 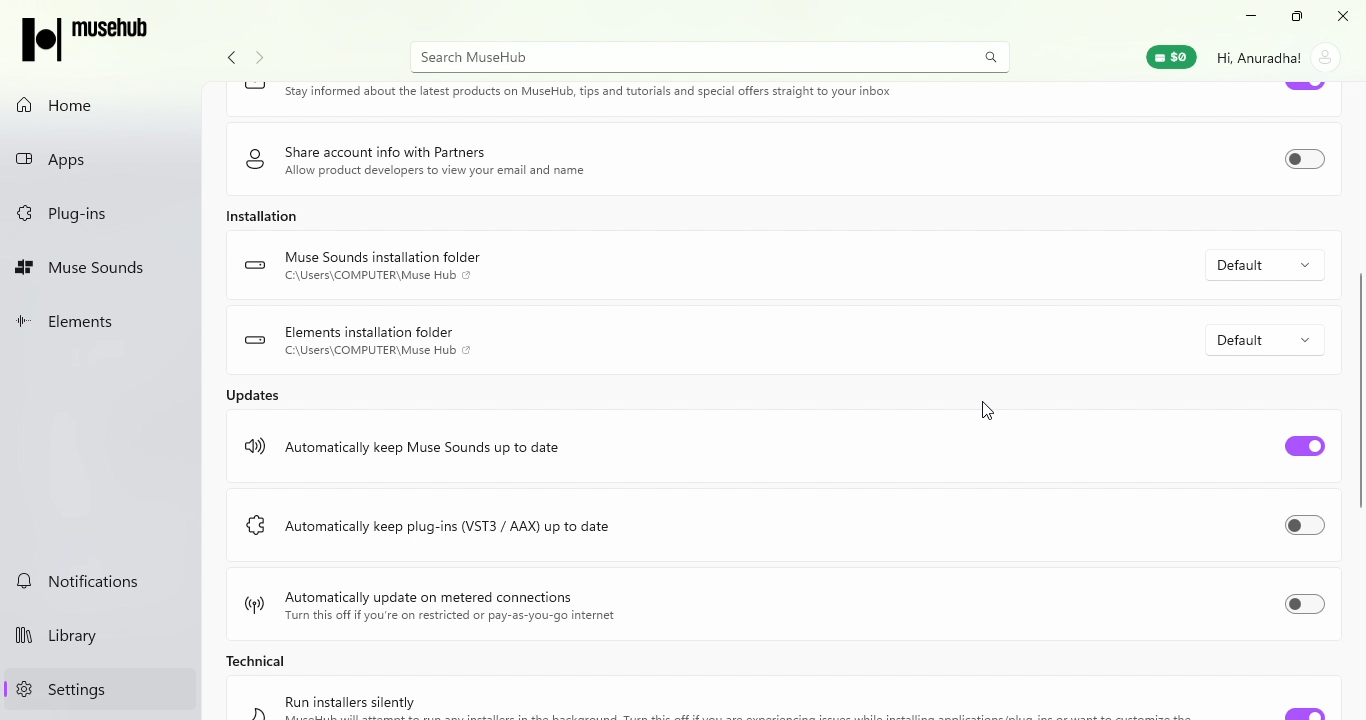 What do you see at coordinates (260, 660) in the screenshot?
I see `Technical` at bounding box center [260, 660].